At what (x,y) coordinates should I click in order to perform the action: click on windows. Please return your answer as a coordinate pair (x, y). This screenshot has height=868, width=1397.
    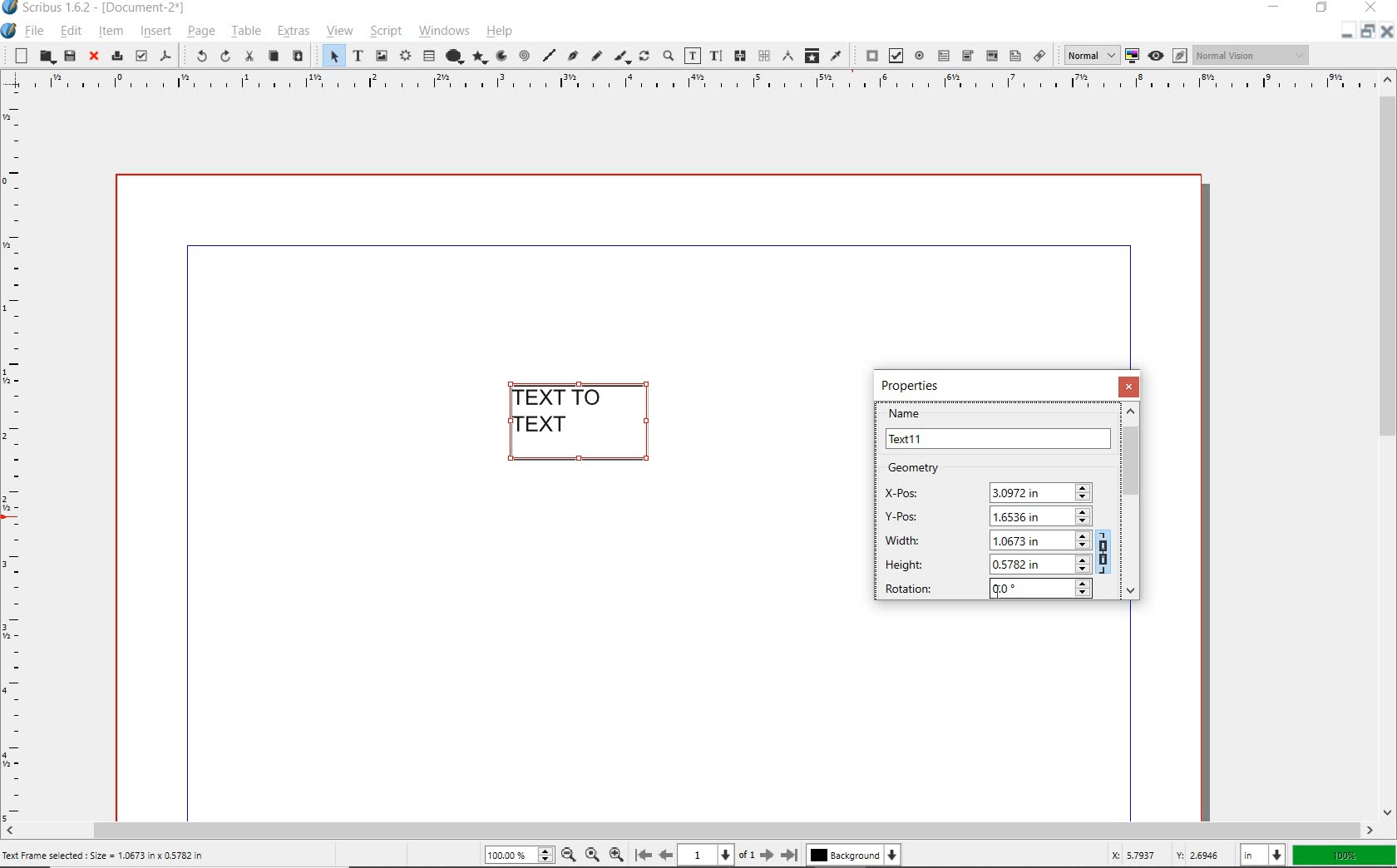
    Looking at the image, I should click on (444, 32).